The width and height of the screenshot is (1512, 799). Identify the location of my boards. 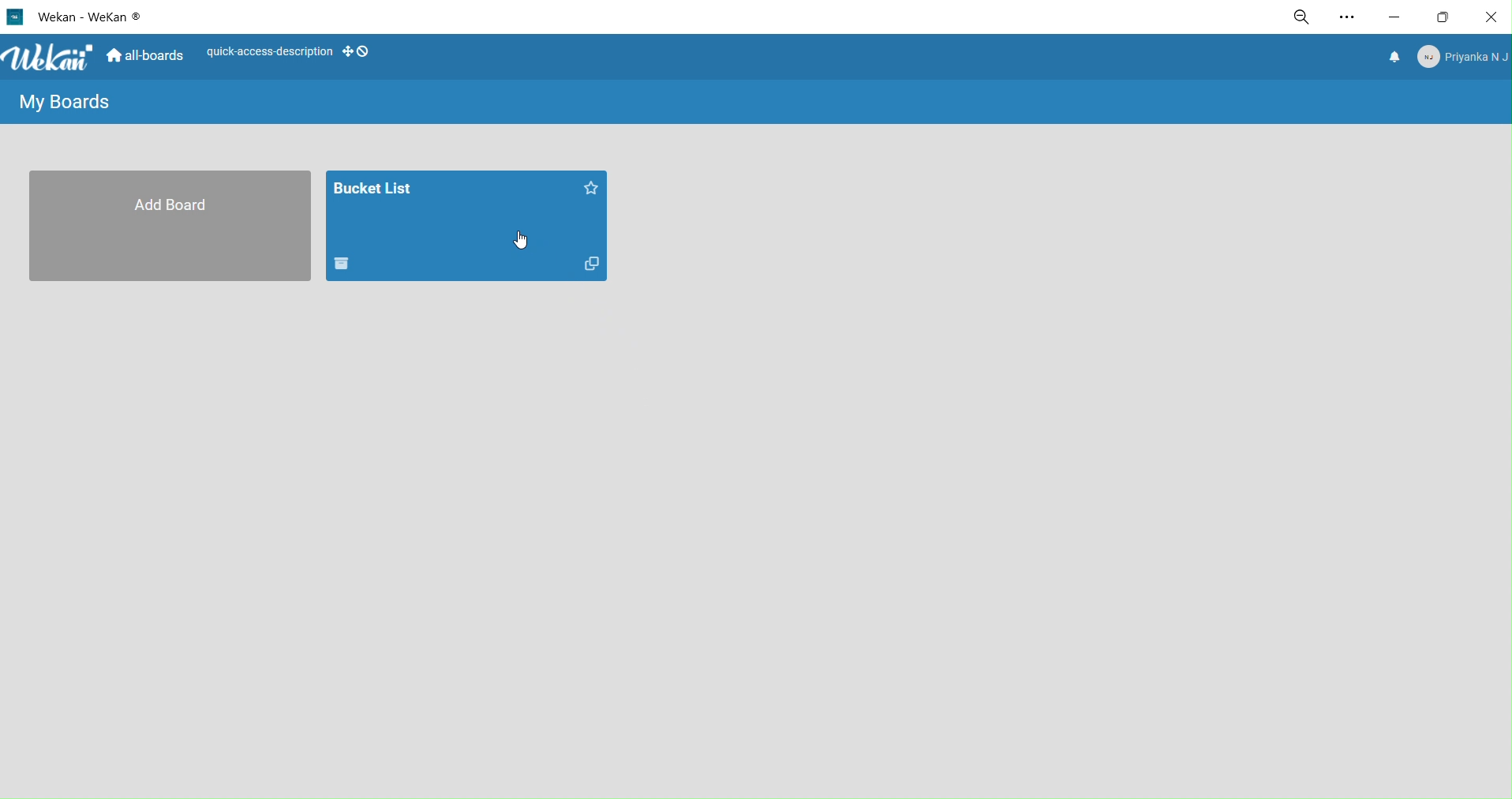
(69, 103).